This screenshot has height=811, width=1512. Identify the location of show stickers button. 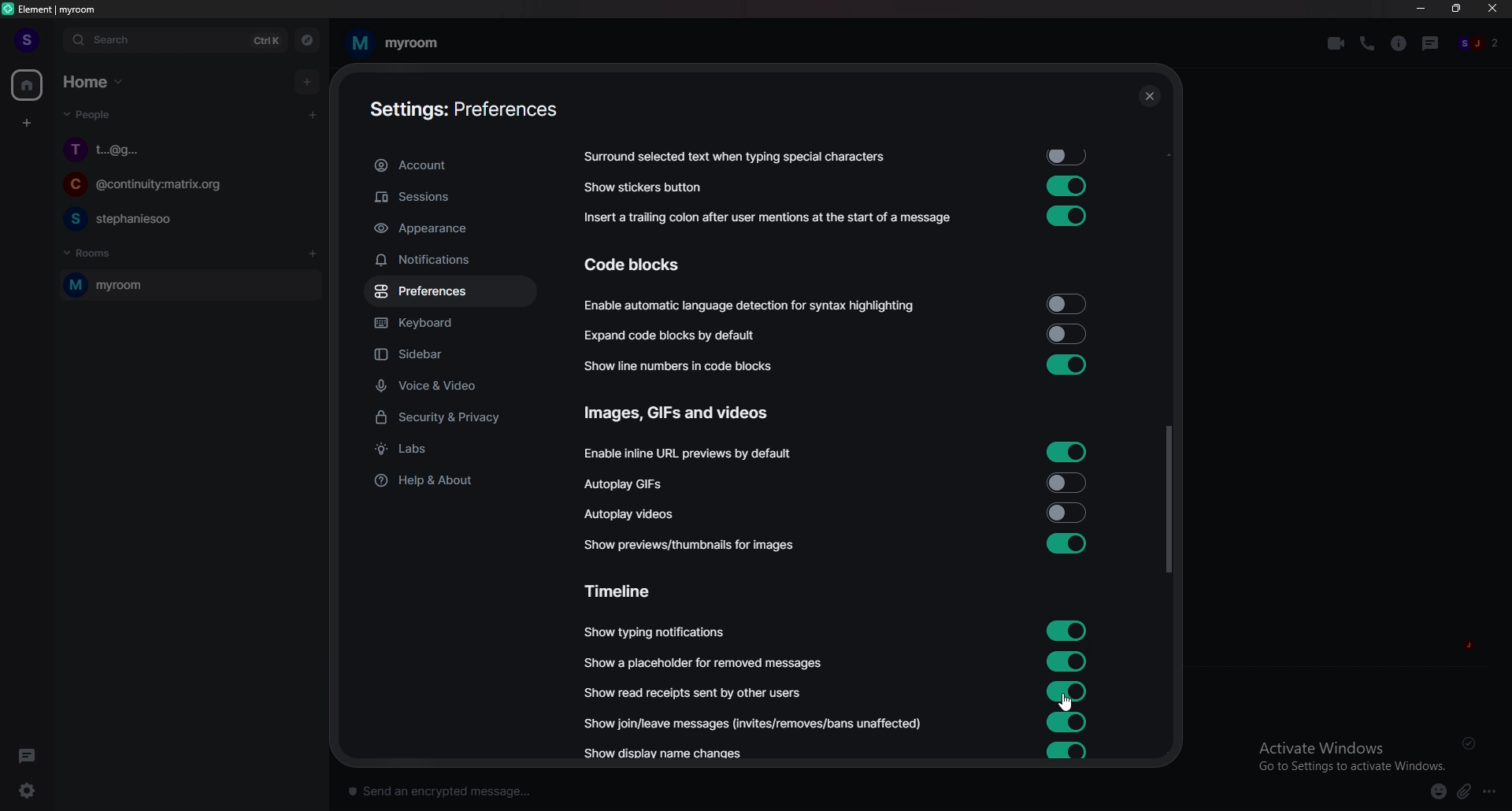
(644, 187).